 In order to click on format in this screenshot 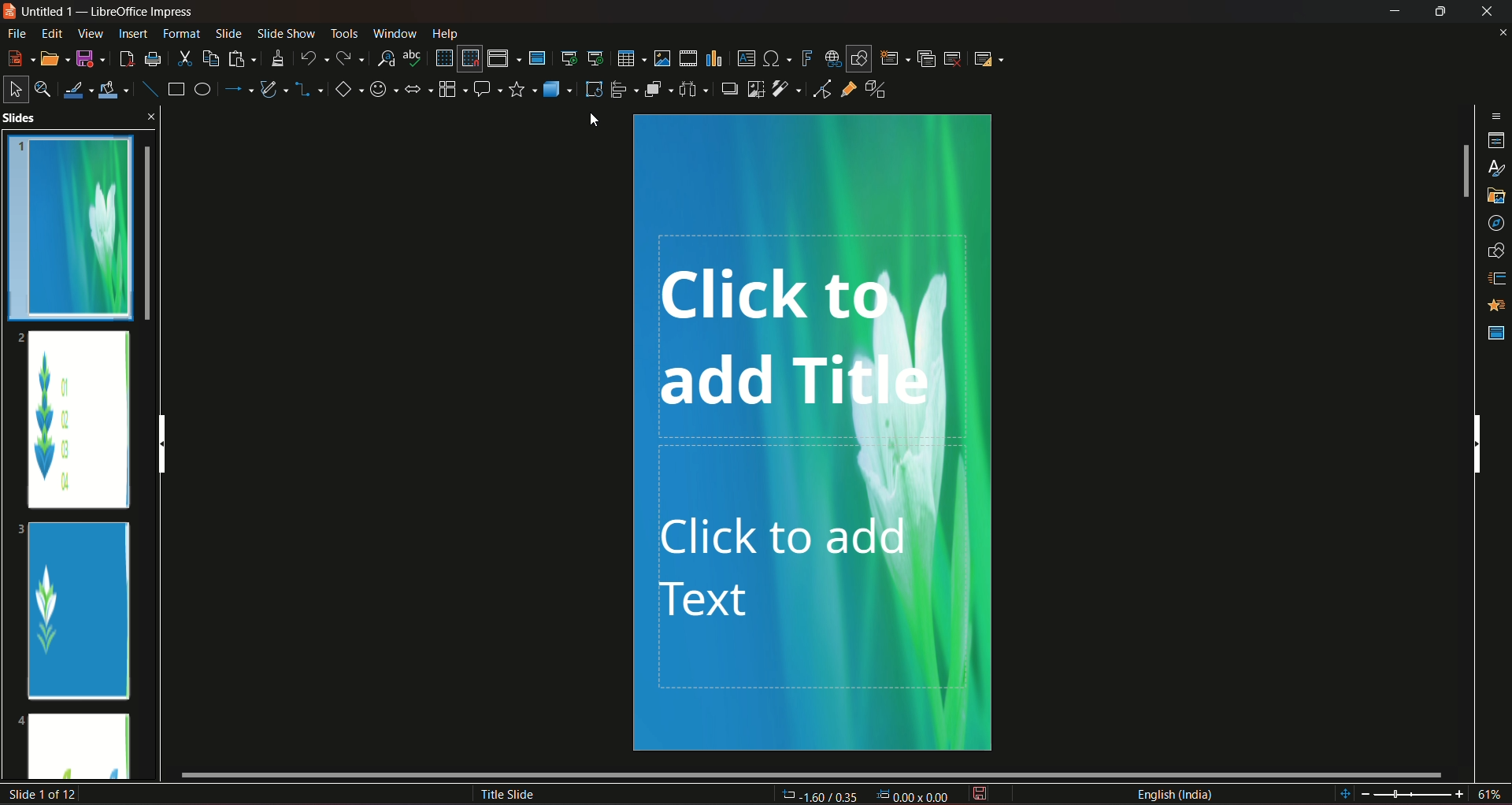, I will do `click(181, 33)`.